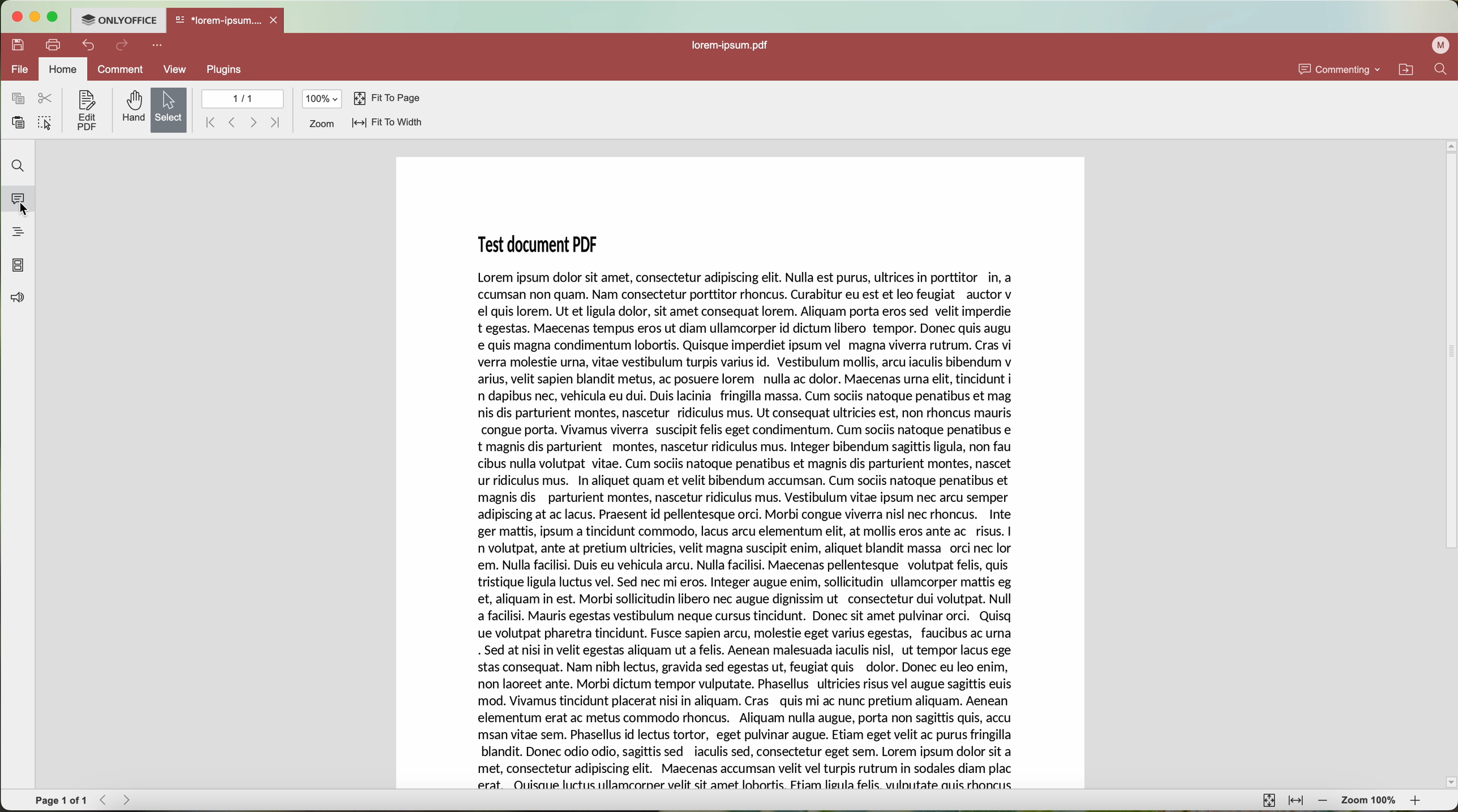  I want to click on zoom out, so click(1324, 802).